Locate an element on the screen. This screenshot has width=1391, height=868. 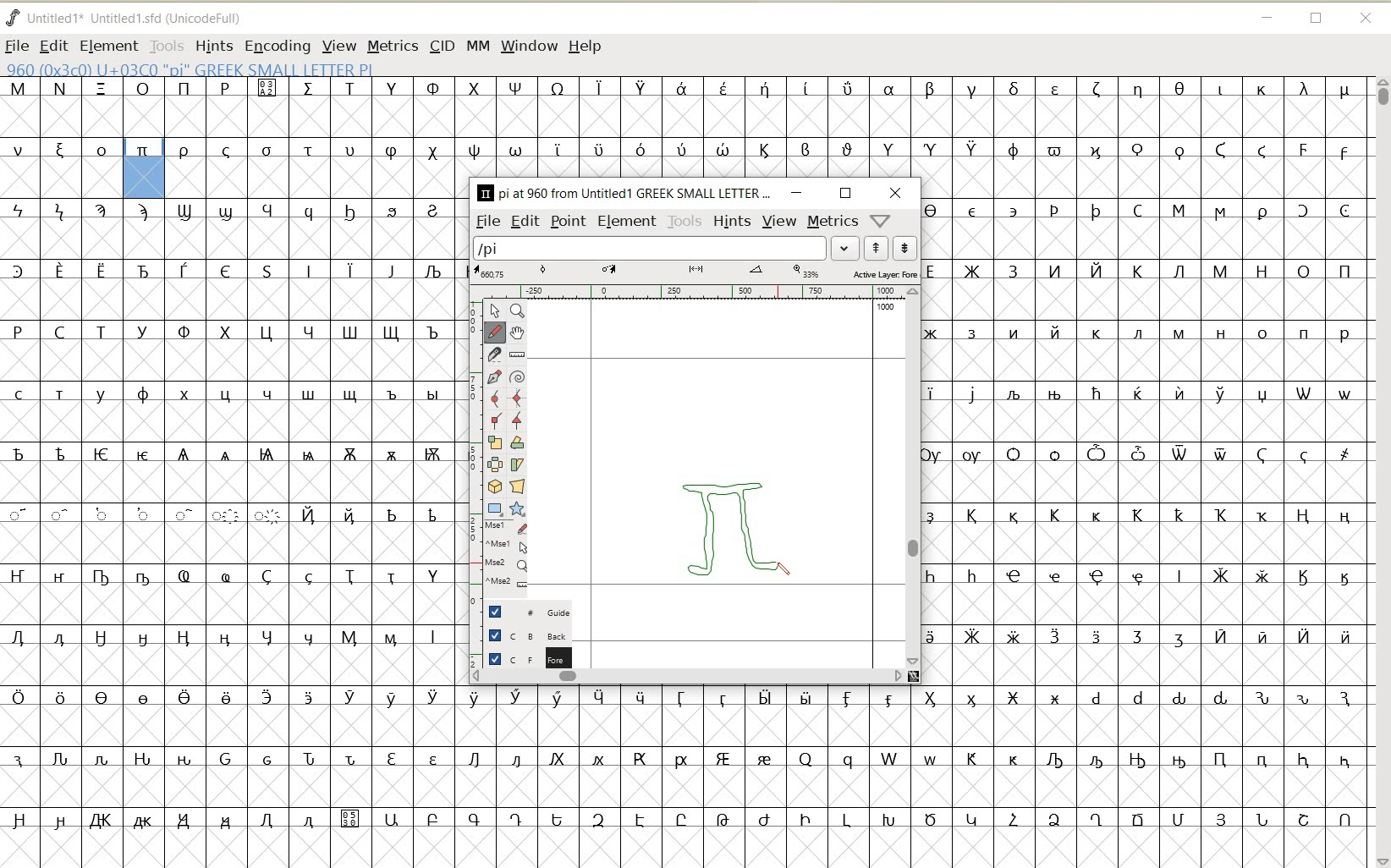
glyph characters is located at coordinates (1158, 442).